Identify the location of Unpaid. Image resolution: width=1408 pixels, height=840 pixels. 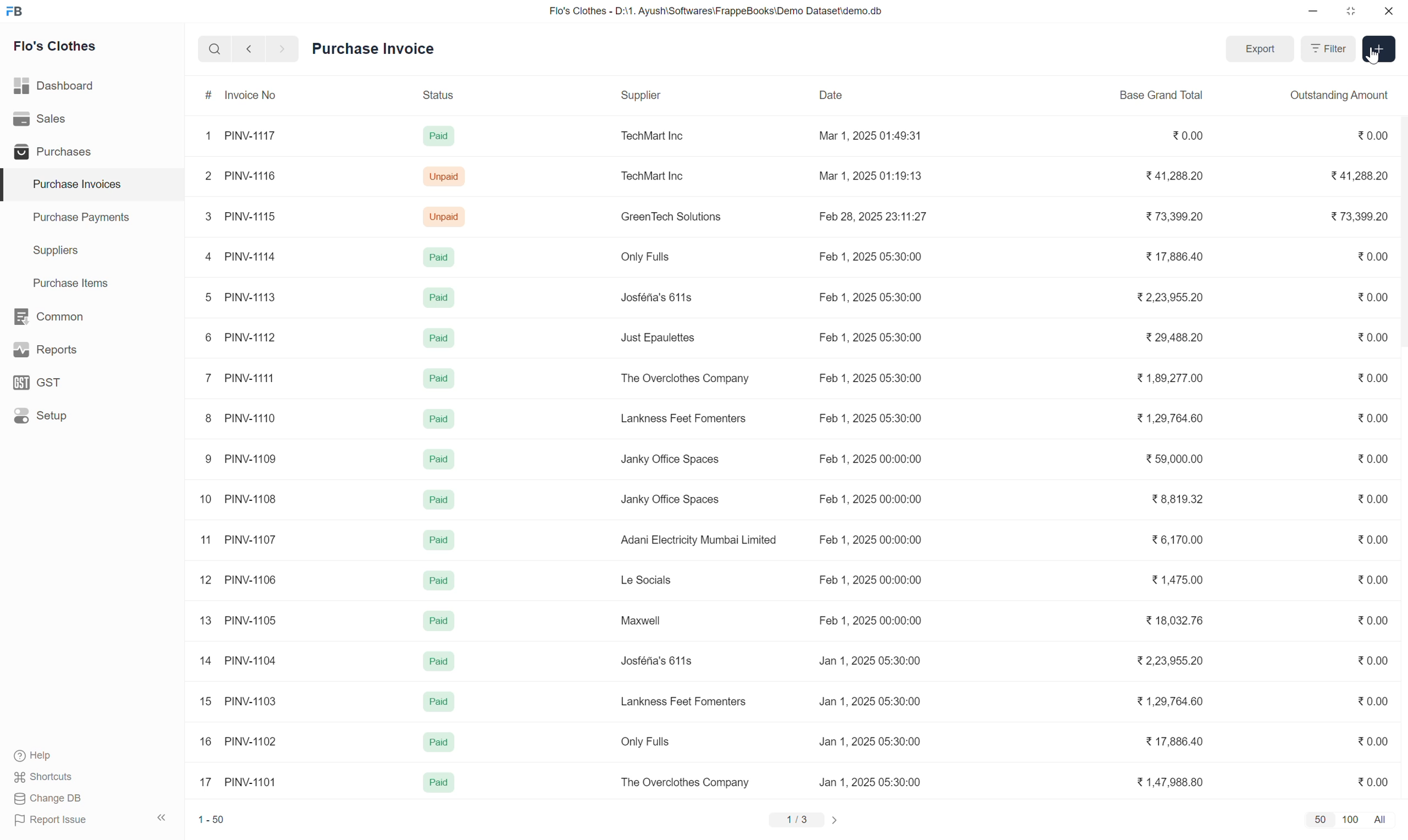
(445, 217).